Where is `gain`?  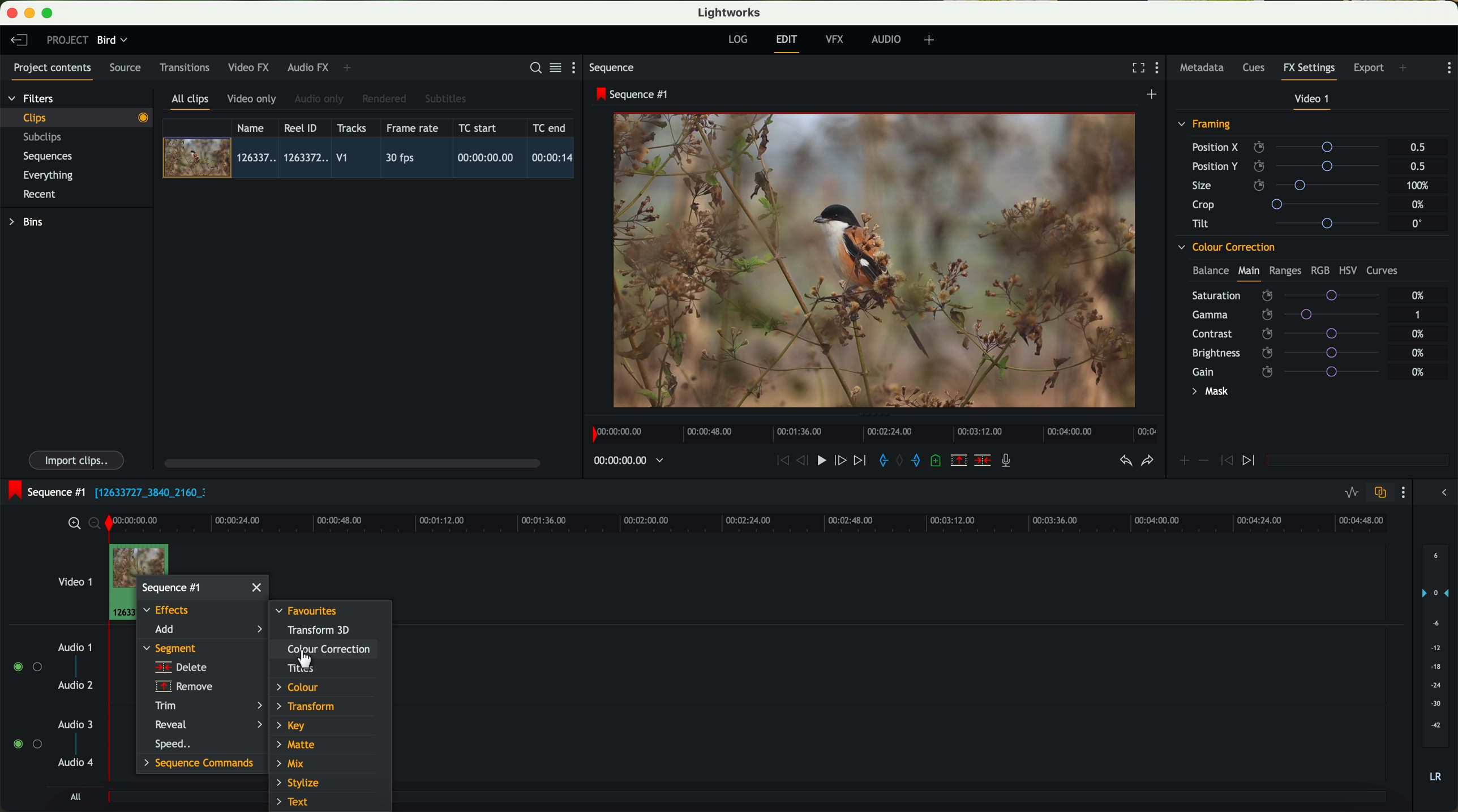
gain is located at coordinates (1293, 371).